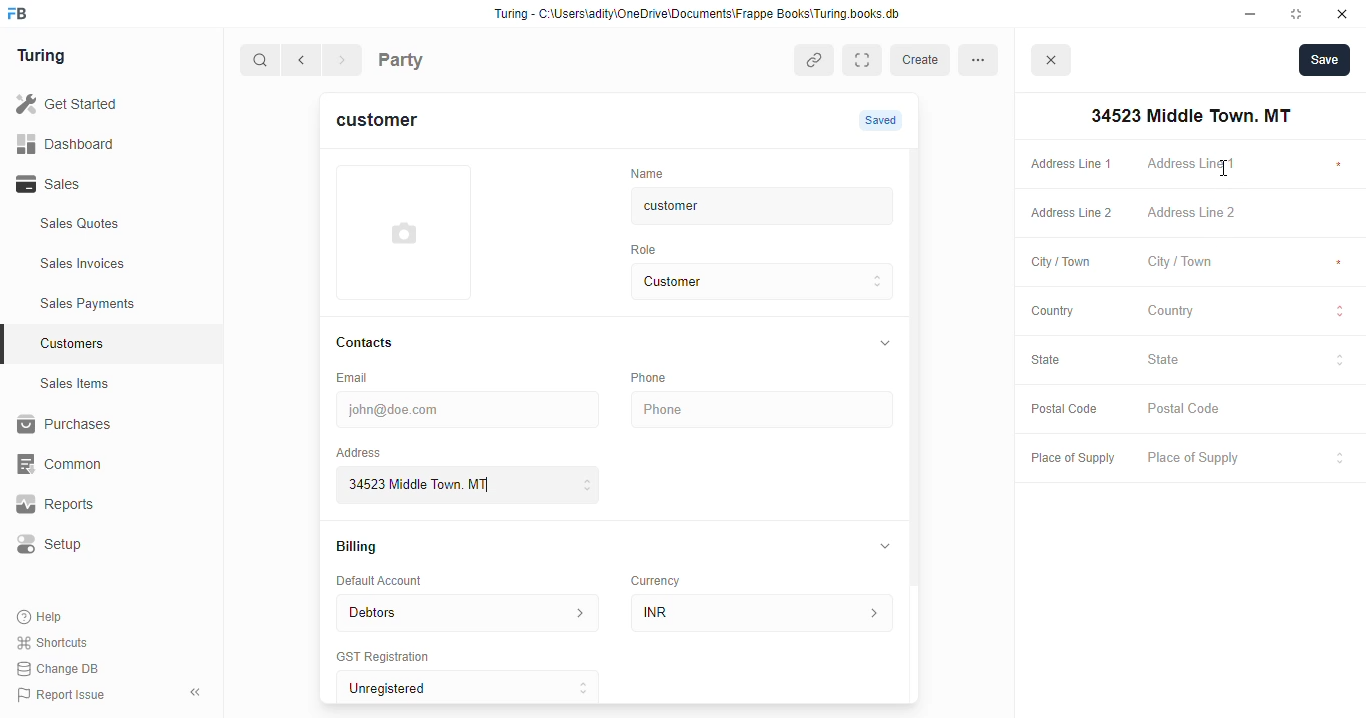 The height and width of the screenshot is (718, 1366). Describe the element at coordinates (395, 580) in the screenshot. I see `Default Account` at that location.